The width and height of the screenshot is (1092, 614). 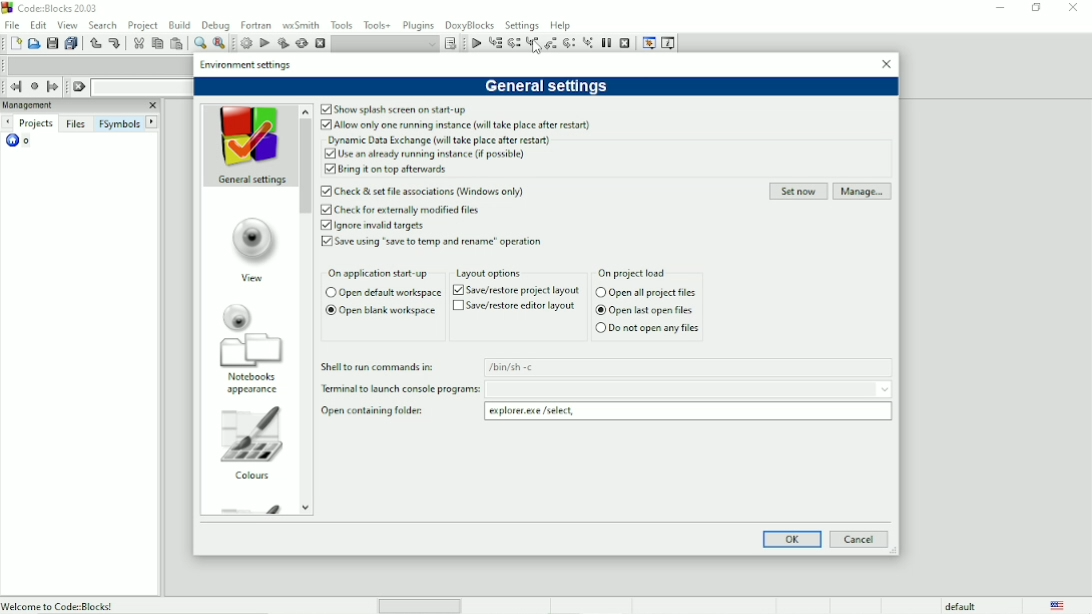 I want to click on Debug, so click(x=216, y=25).